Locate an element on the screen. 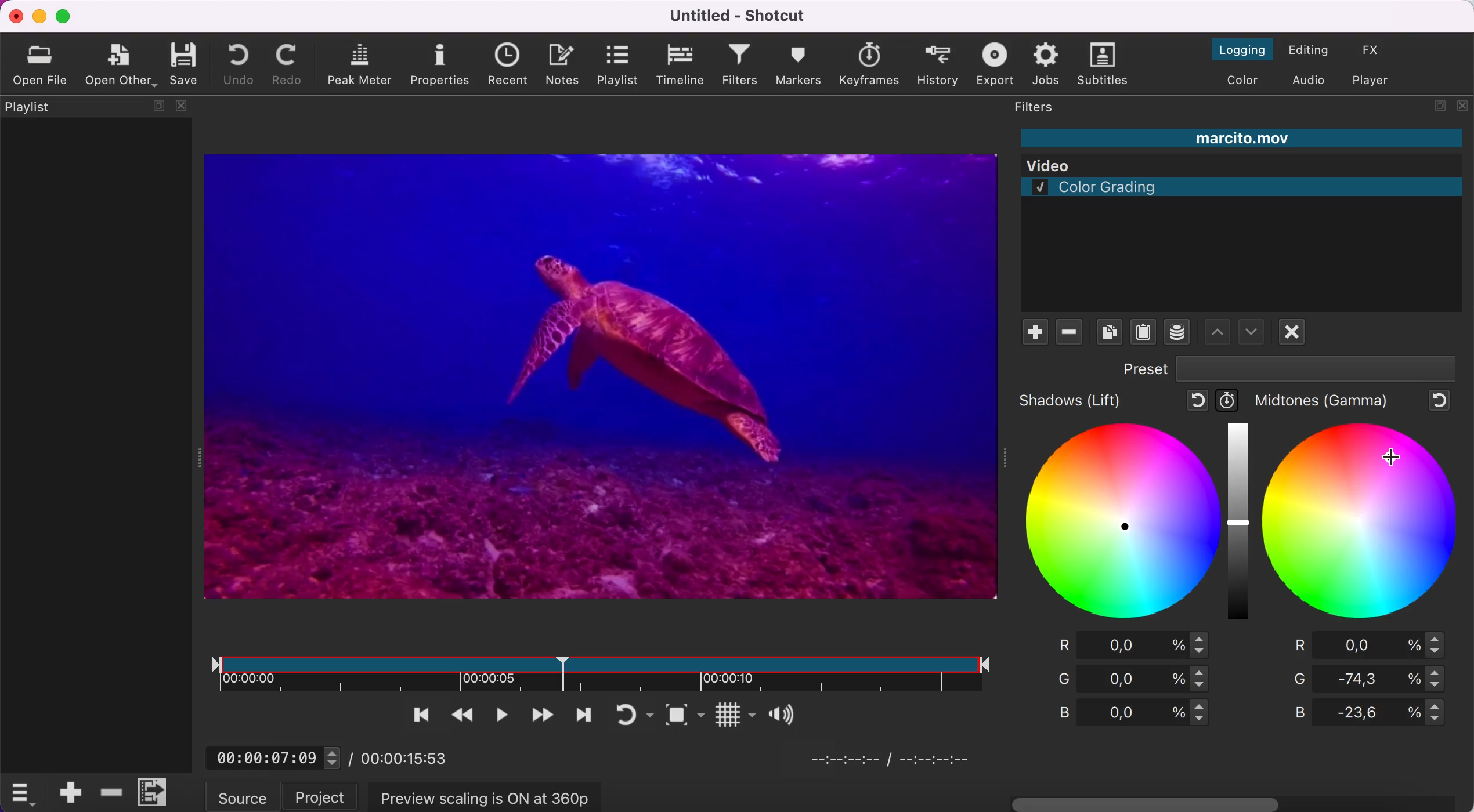 This screenshot has width=1474, height=812. red is located at coordinates (1370, 645).